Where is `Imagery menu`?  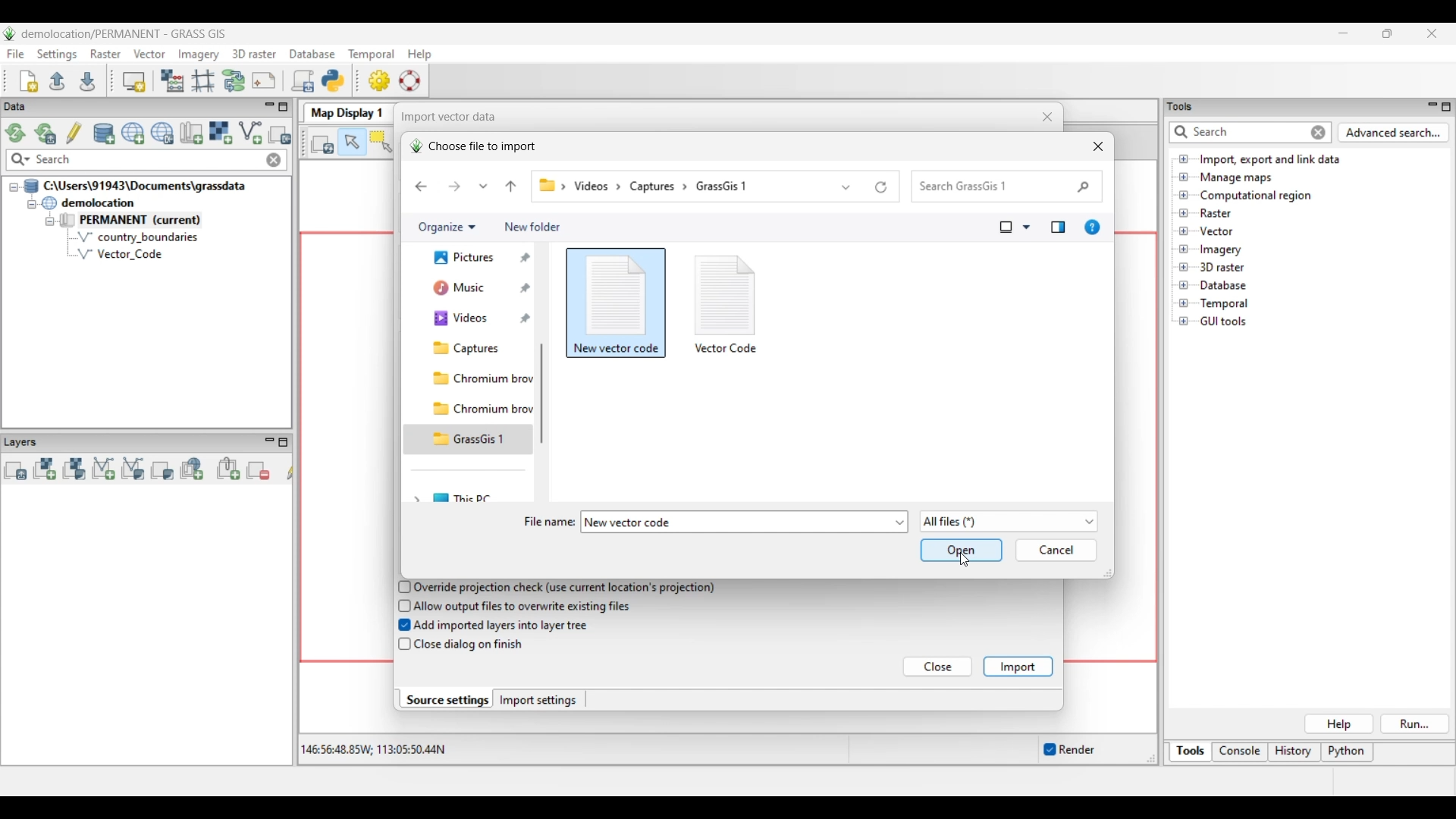
Imagery menu is located at coordinates (199, 55).